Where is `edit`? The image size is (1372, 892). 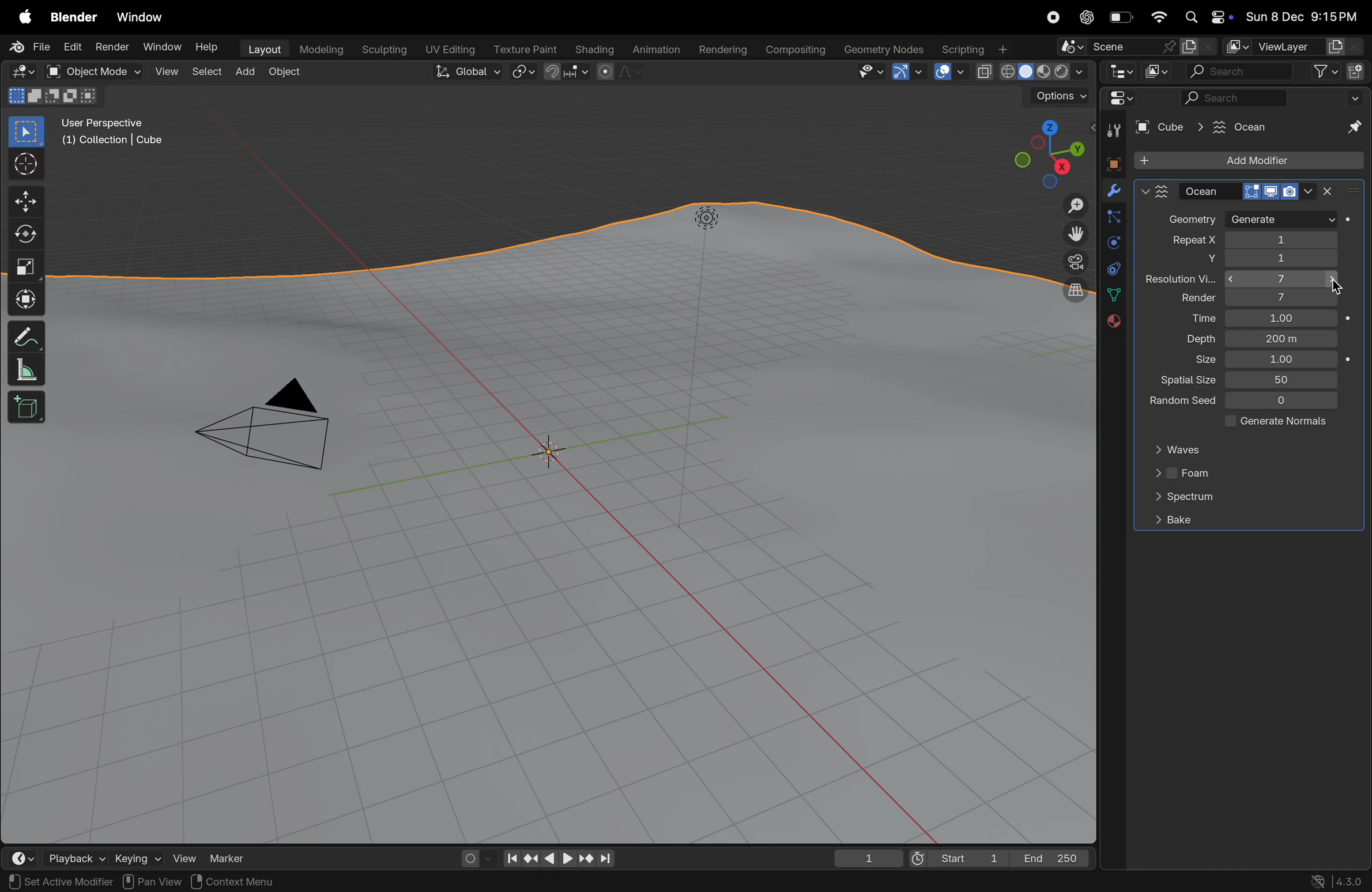
edit is located at coordinates (71, 47).